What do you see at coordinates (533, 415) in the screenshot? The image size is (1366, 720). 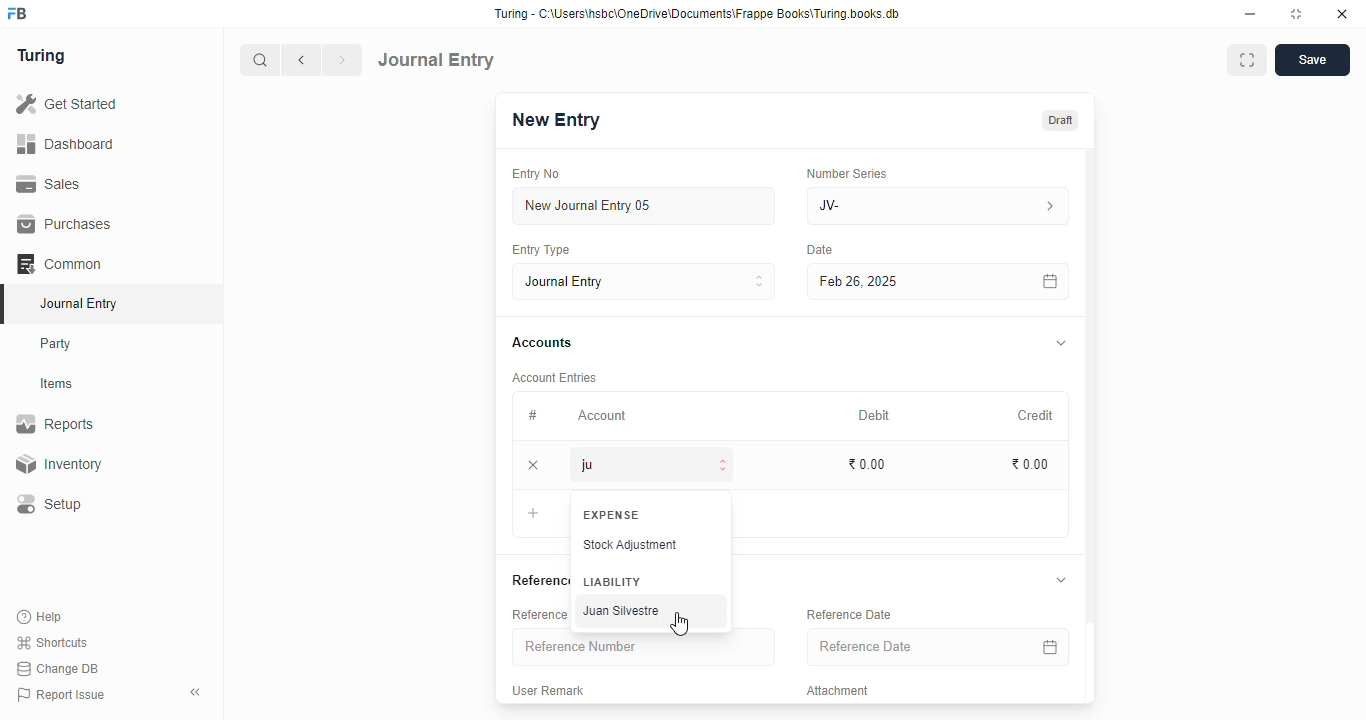 I see `#` at bounding box center [533, 415].